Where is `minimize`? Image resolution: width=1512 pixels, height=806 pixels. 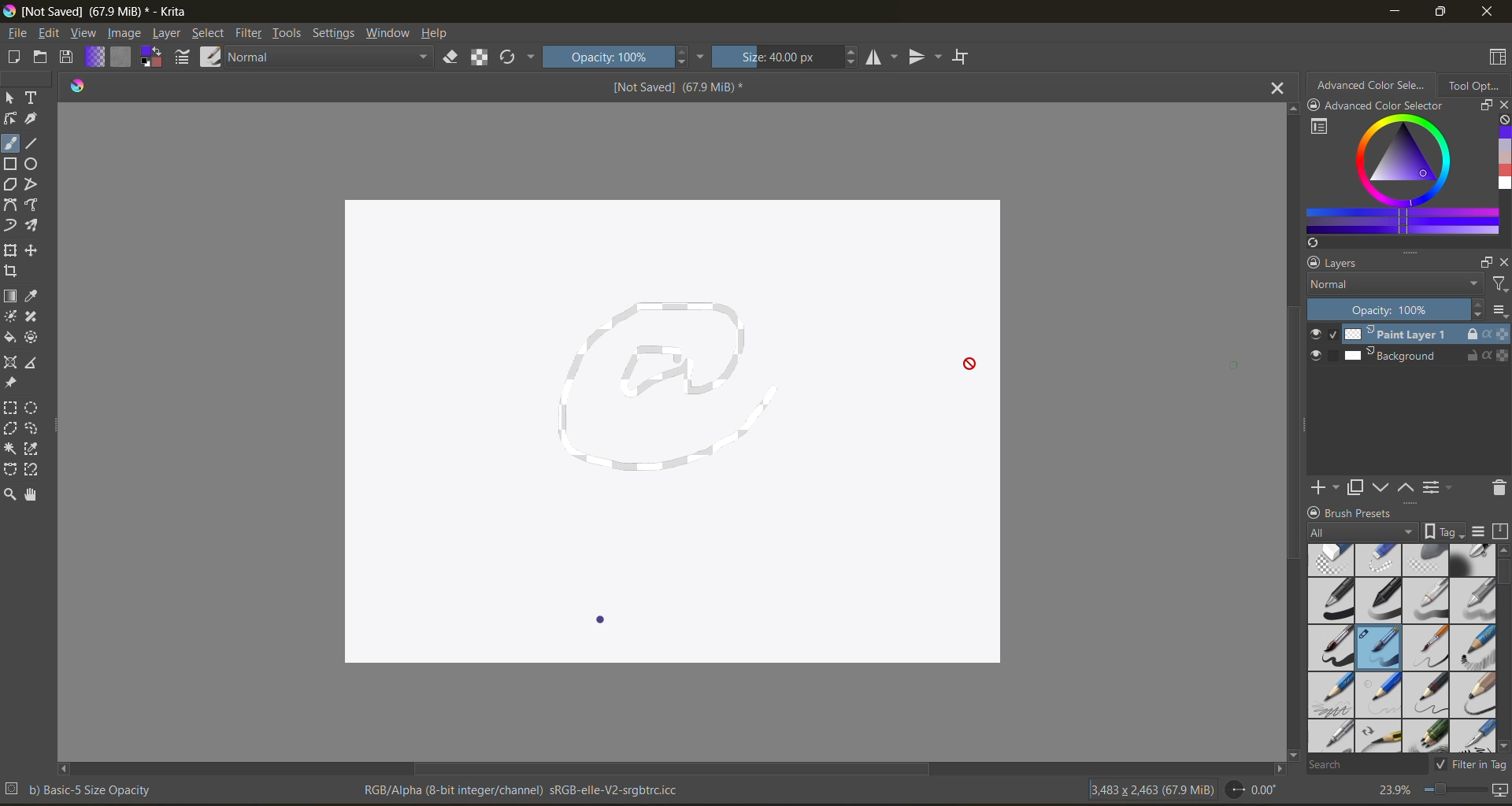
minimize is located at coordinates (1396, 13).